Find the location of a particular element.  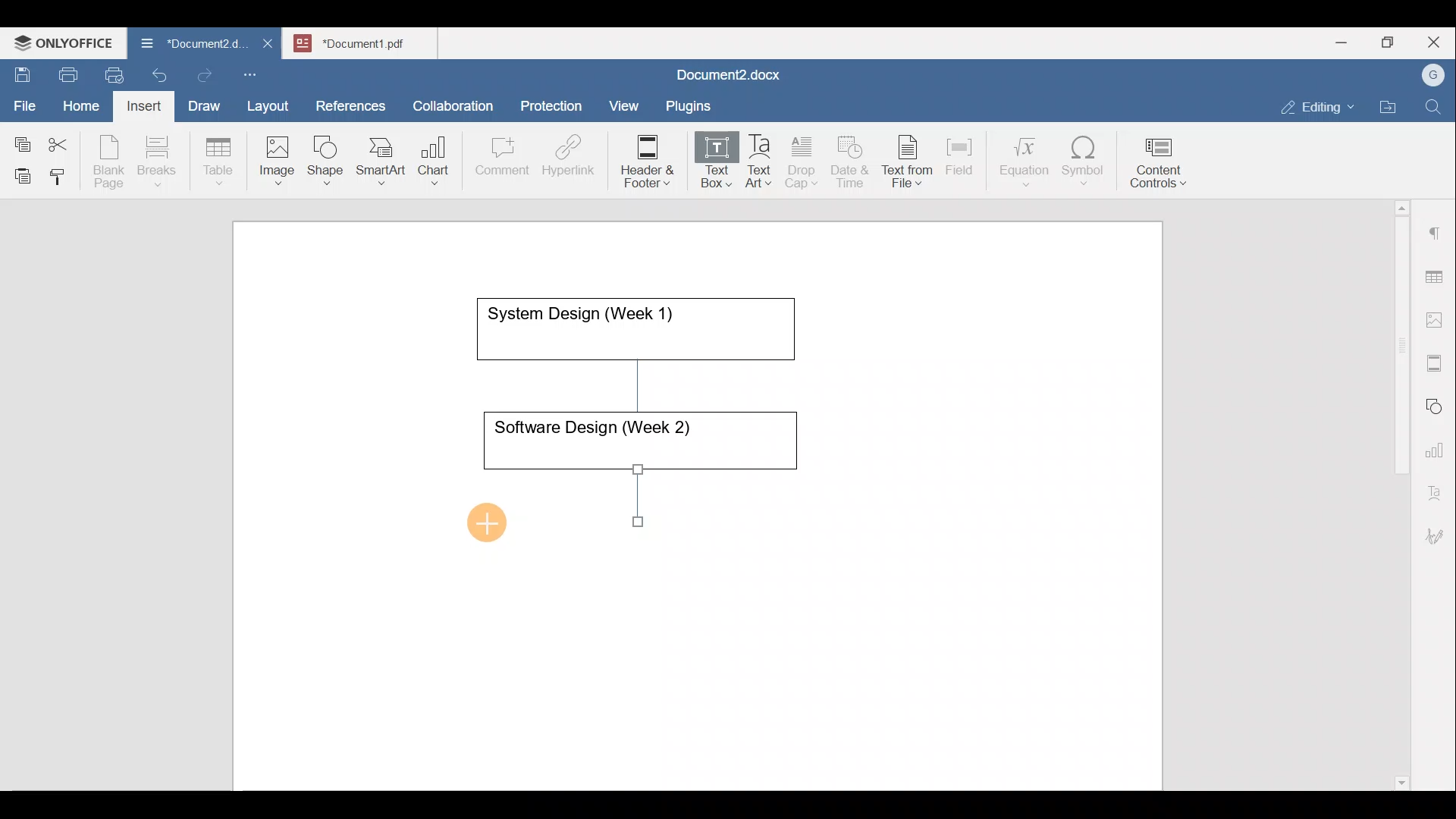

Image settings is located at coordinates (1437, 318).